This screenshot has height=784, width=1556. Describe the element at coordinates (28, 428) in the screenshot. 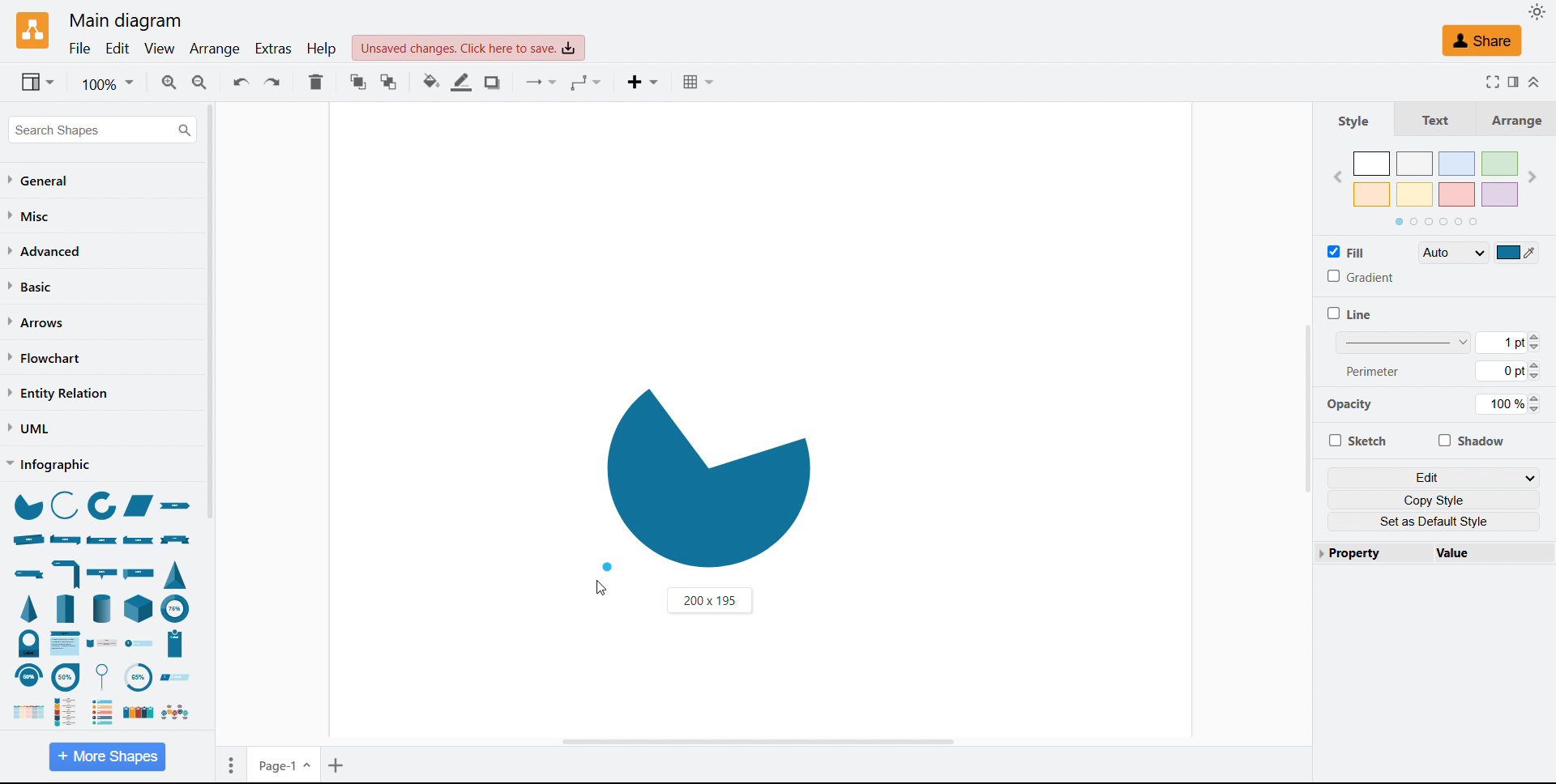

I see `UML ` at that location.